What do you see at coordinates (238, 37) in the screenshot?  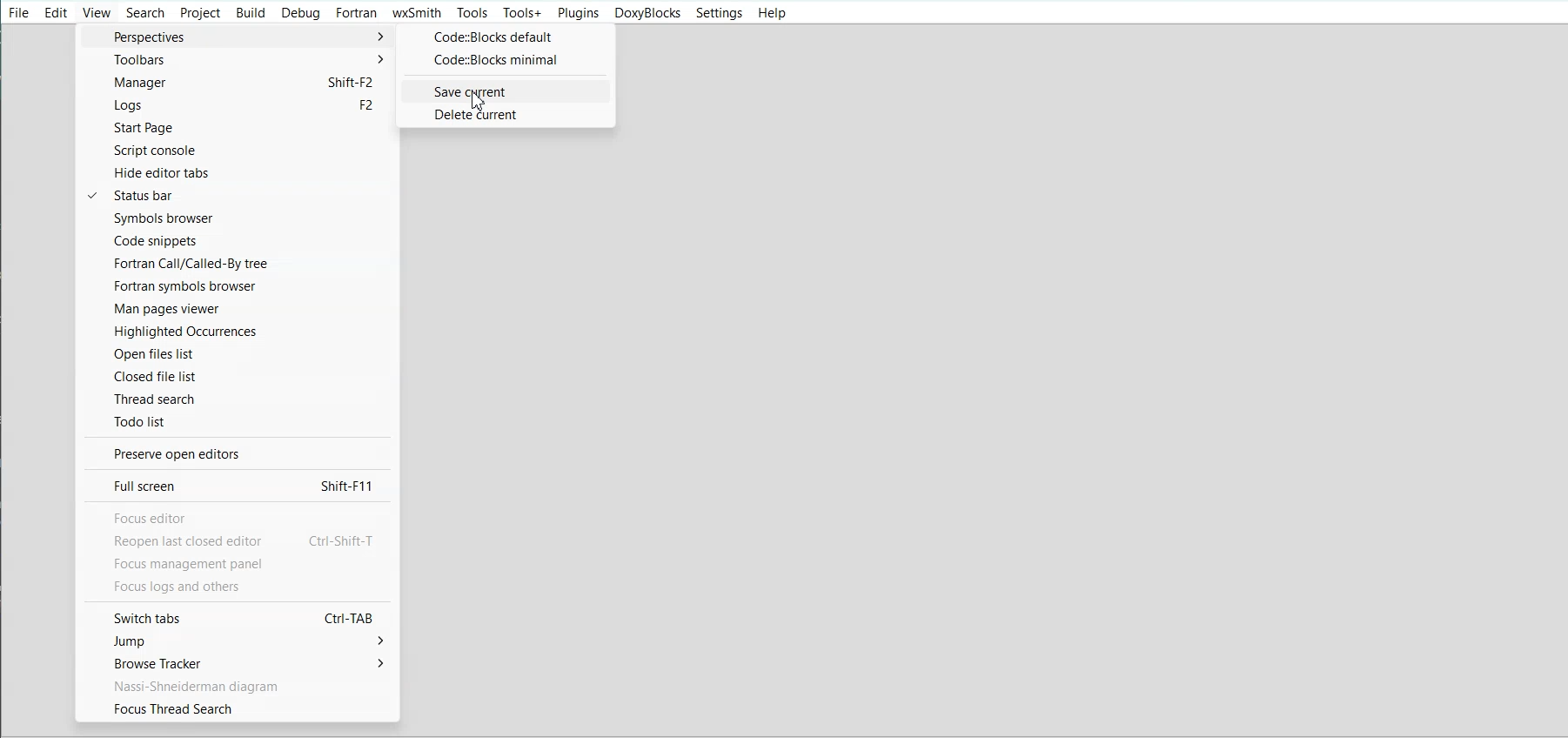 I see `Perspective` at bounding box center [238, 37].